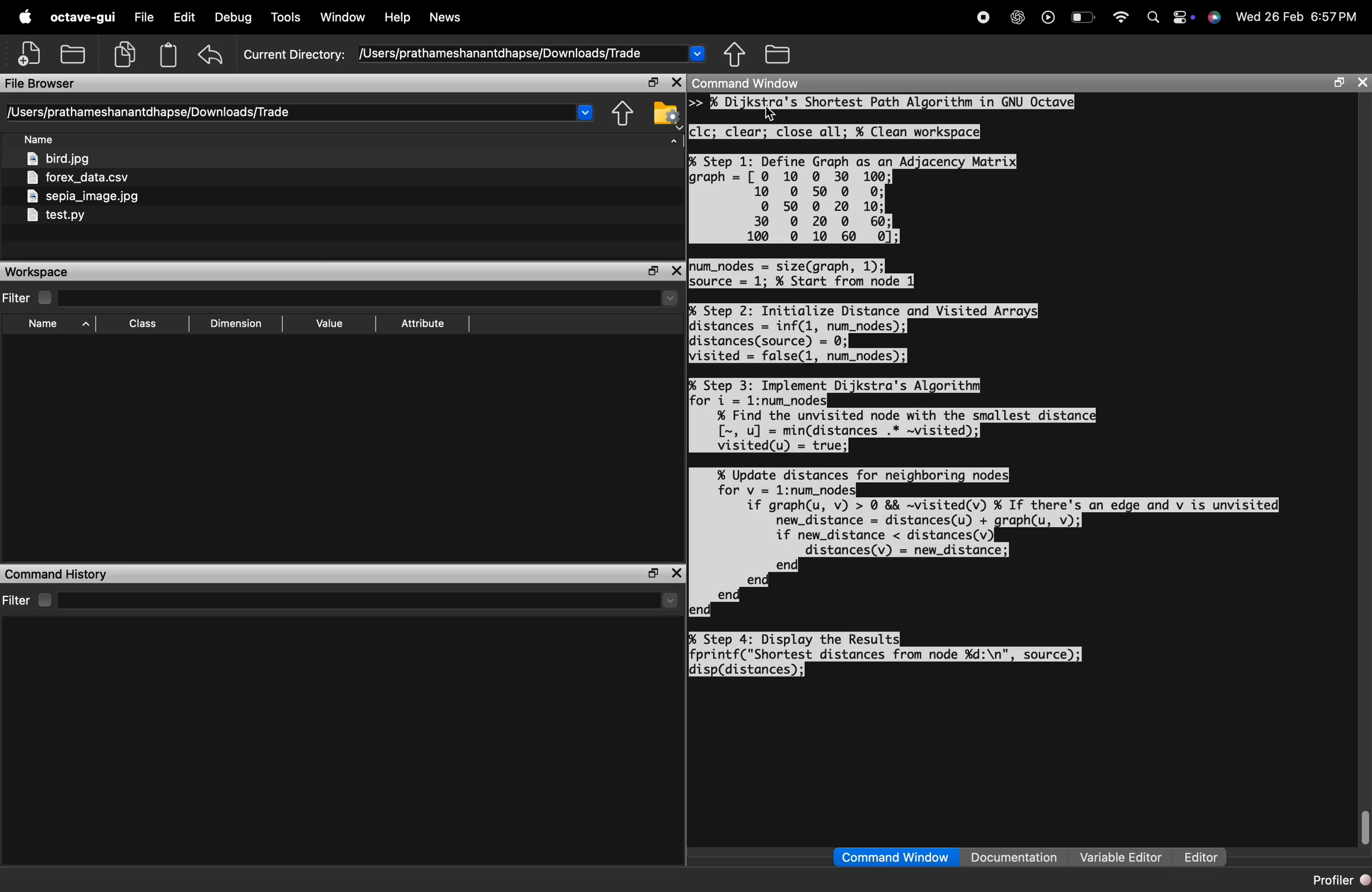 This screenshot has width=1372, height=892. Describe the element at coordinates (236, 324) in the screenshot. I see `sort by dimension` at that location.